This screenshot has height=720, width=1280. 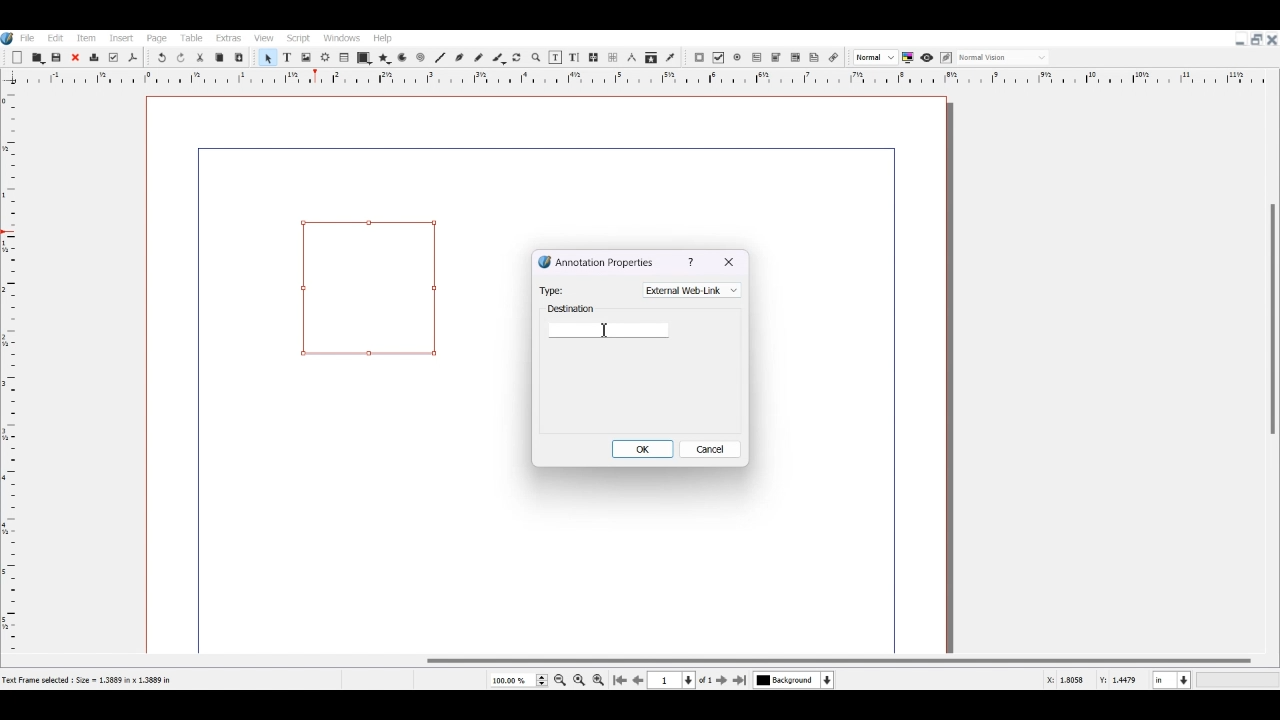 I want to click on Select Item, so click(x=267, y=57).